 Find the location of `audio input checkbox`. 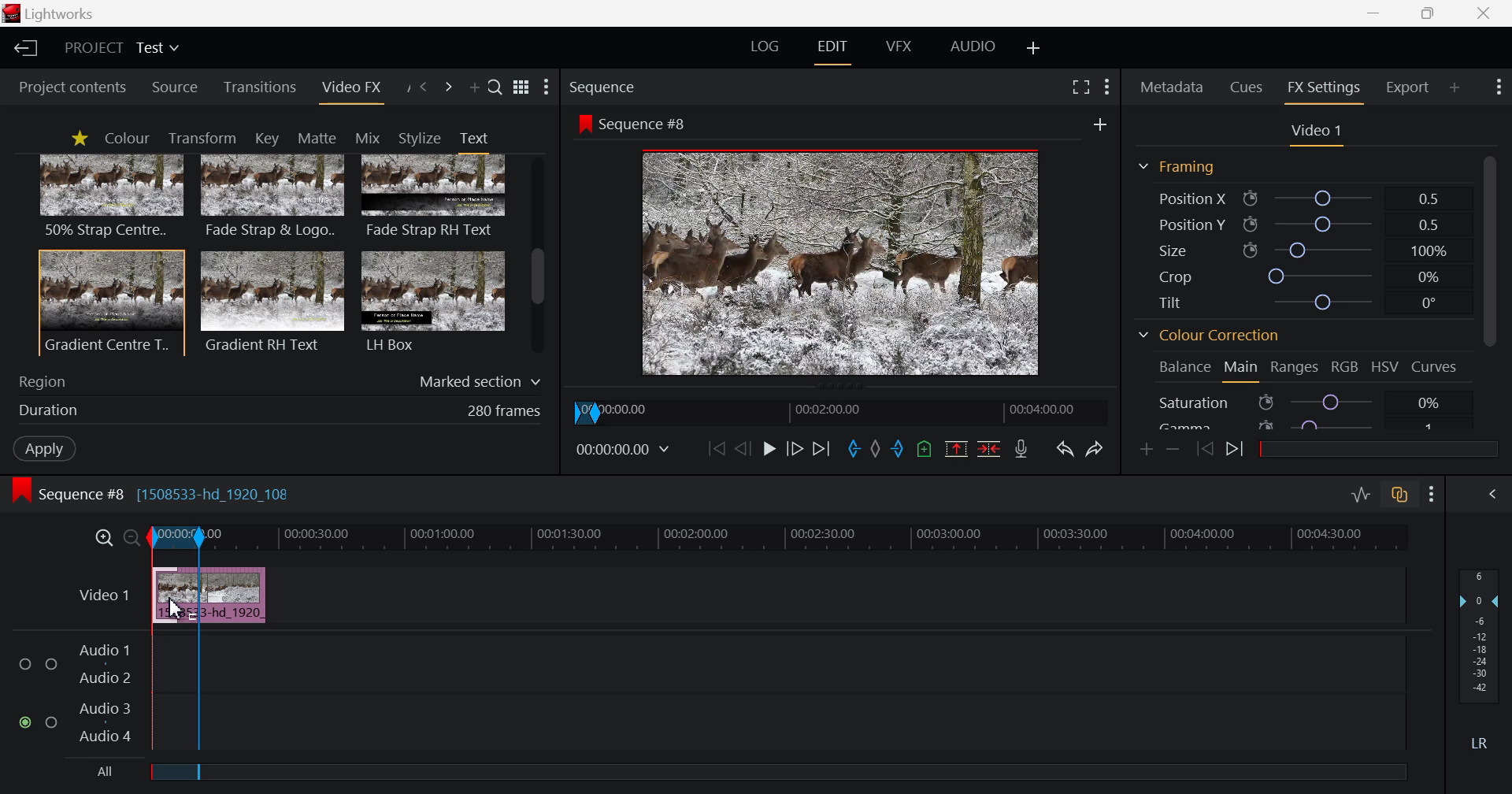

audio input checkbox is located at coordinates (31, 696).